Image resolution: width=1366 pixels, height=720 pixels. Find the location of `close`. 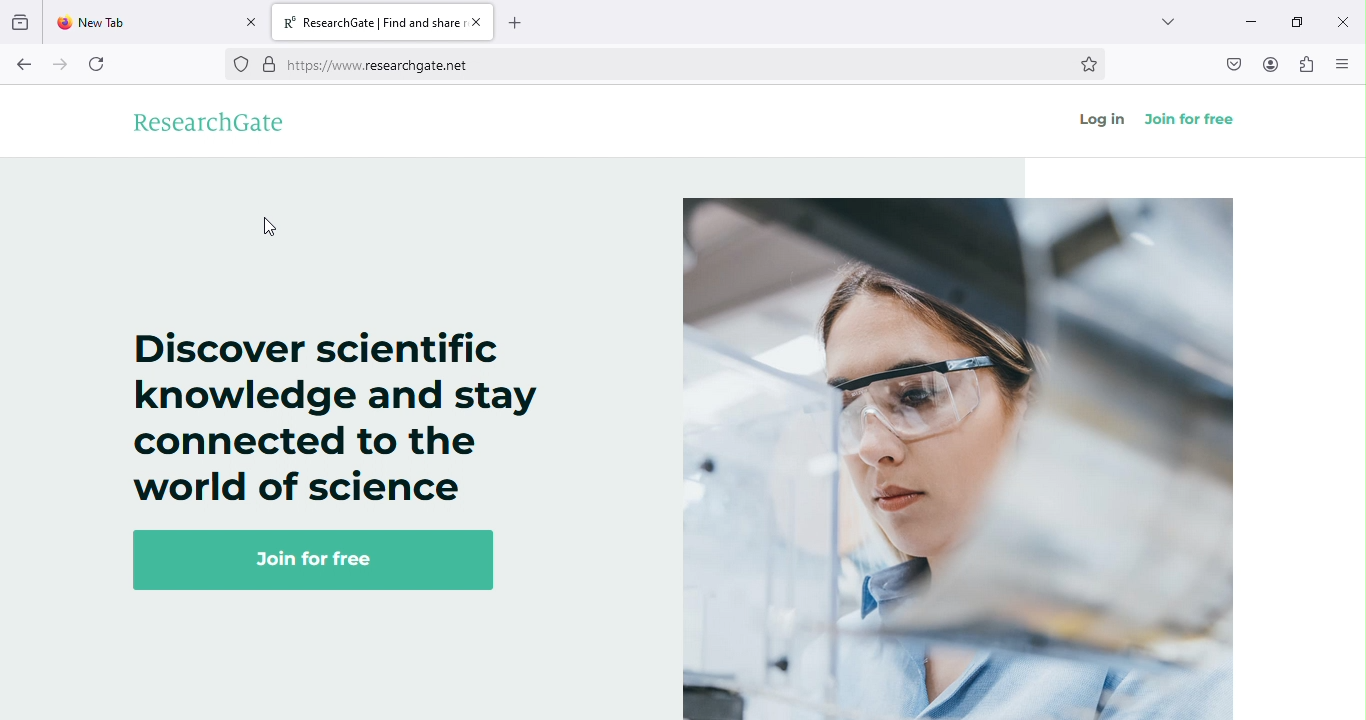

close is located at coordinates (1344, 22).